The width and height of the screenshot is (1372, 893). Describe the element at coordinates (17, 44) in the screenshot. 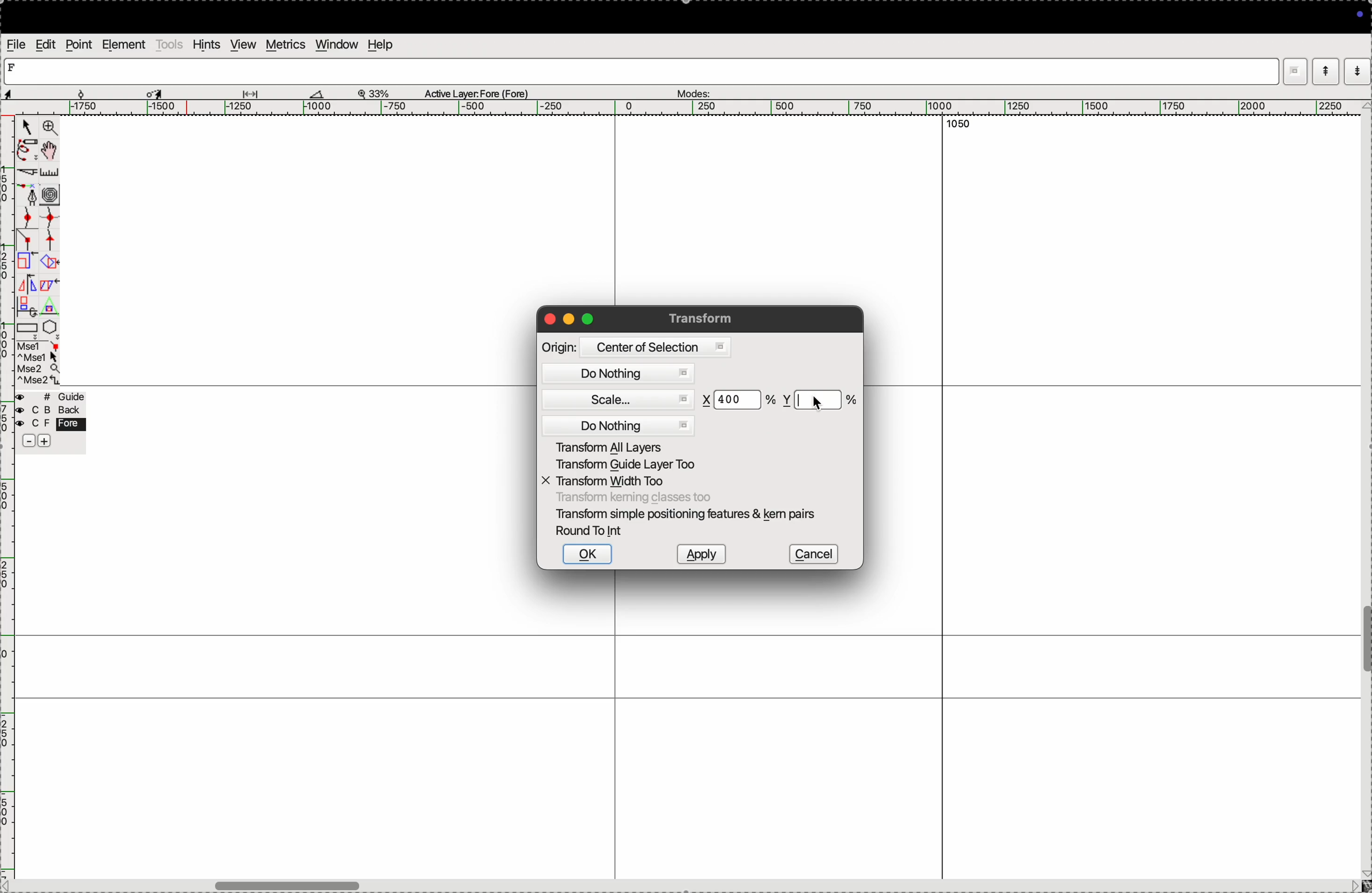

I see `file` at that location.